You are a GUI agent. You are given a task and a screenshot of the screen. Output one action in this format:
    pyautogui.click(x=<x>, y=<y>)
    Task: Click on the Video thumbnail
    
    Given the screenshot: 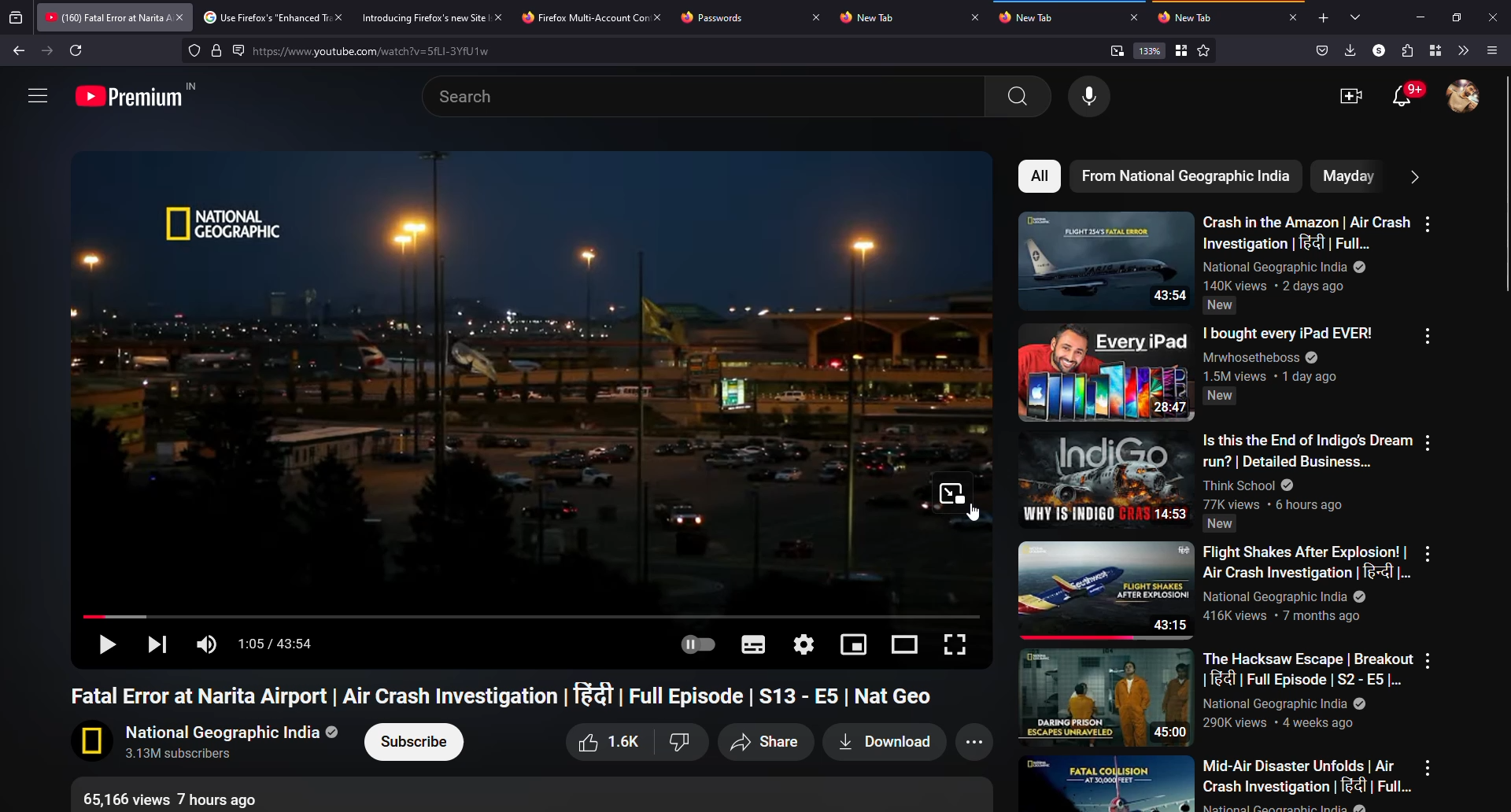 What is the action you would take?
    pyautogui.click(x=1106, y=698)
    